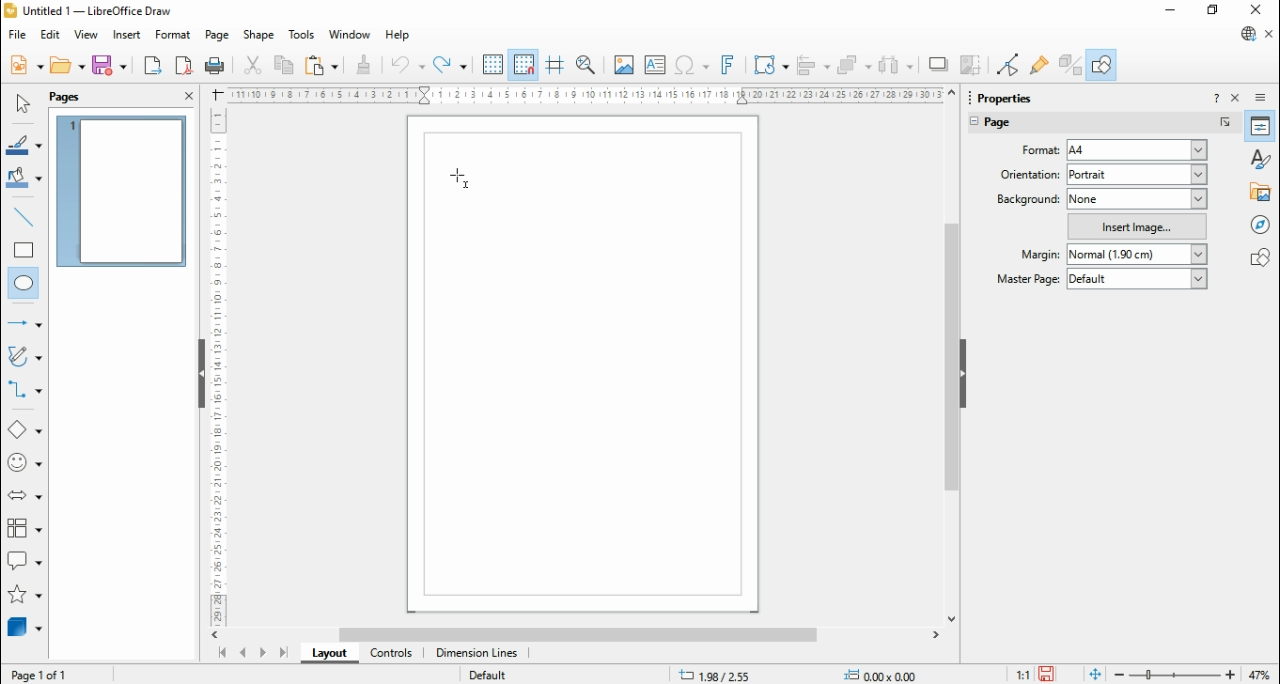 This screenshot has height=684, width=1280. What do you see at coordinates (1262, 224) in the screenshot?
I see `navigator` at bounding box center [1262, 224].